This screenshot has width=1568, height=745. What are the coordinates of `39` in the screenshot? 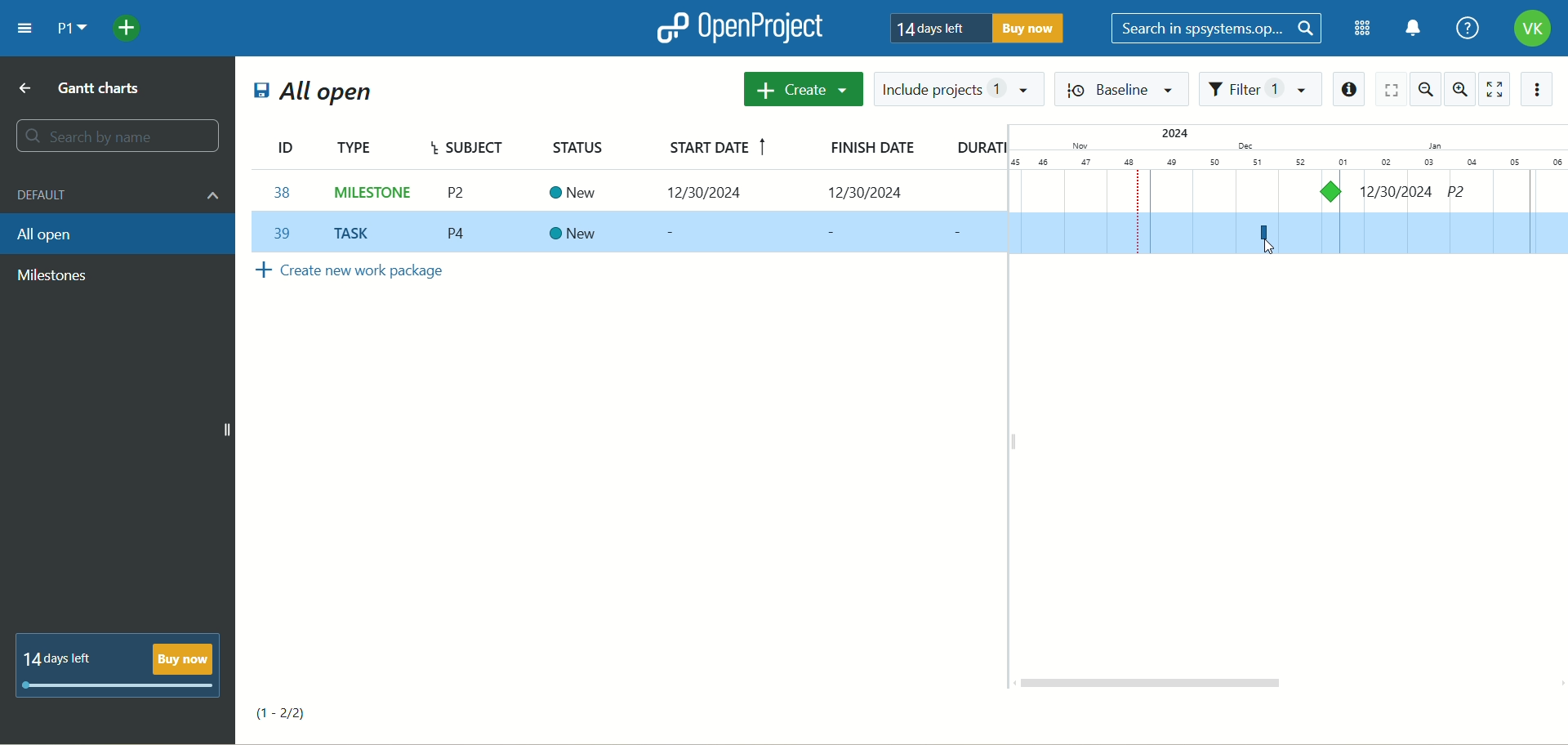 It's located at (287, 232).